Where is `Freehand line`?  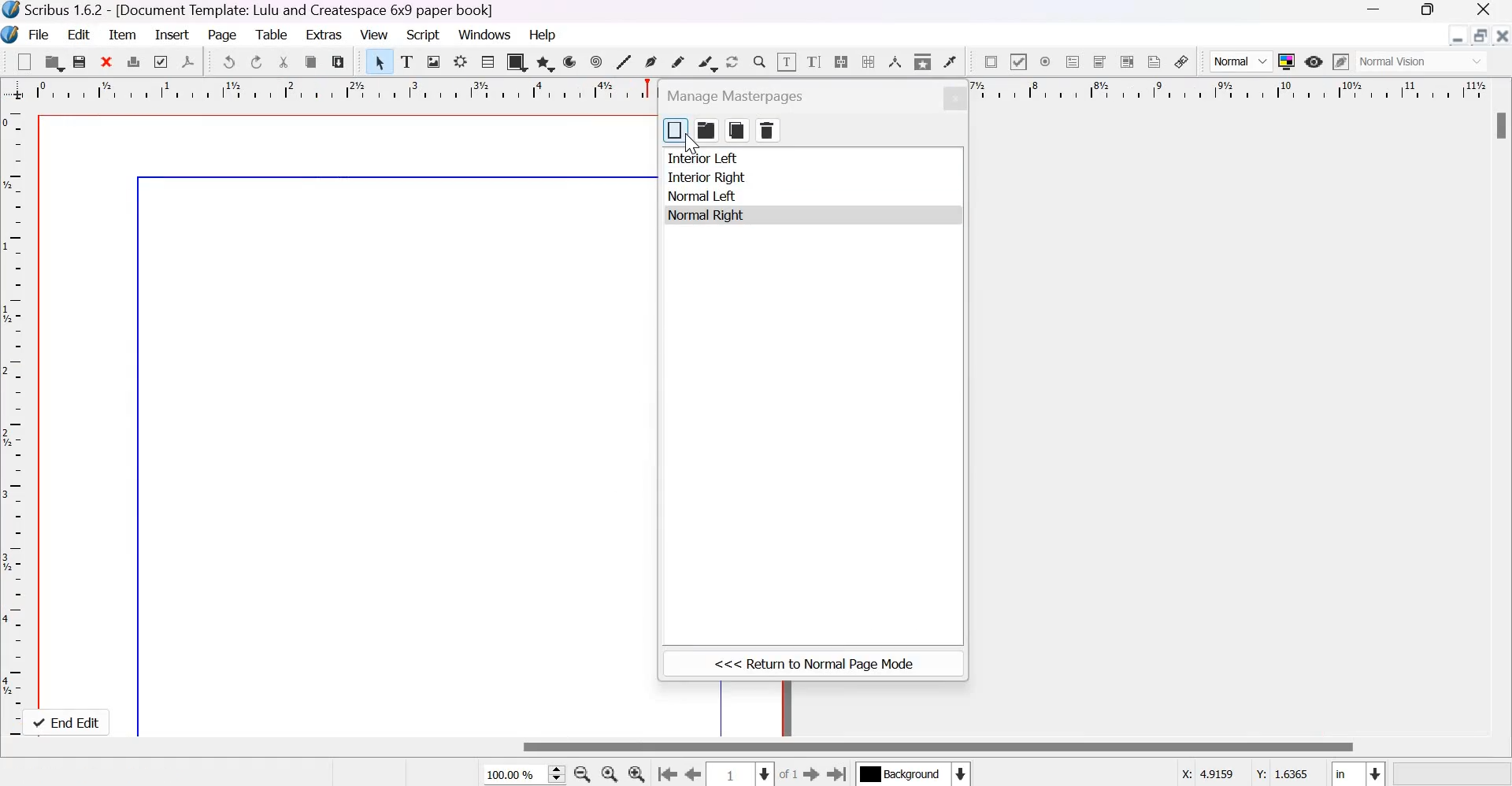 Freehand line is located at coordinates (677, 61).